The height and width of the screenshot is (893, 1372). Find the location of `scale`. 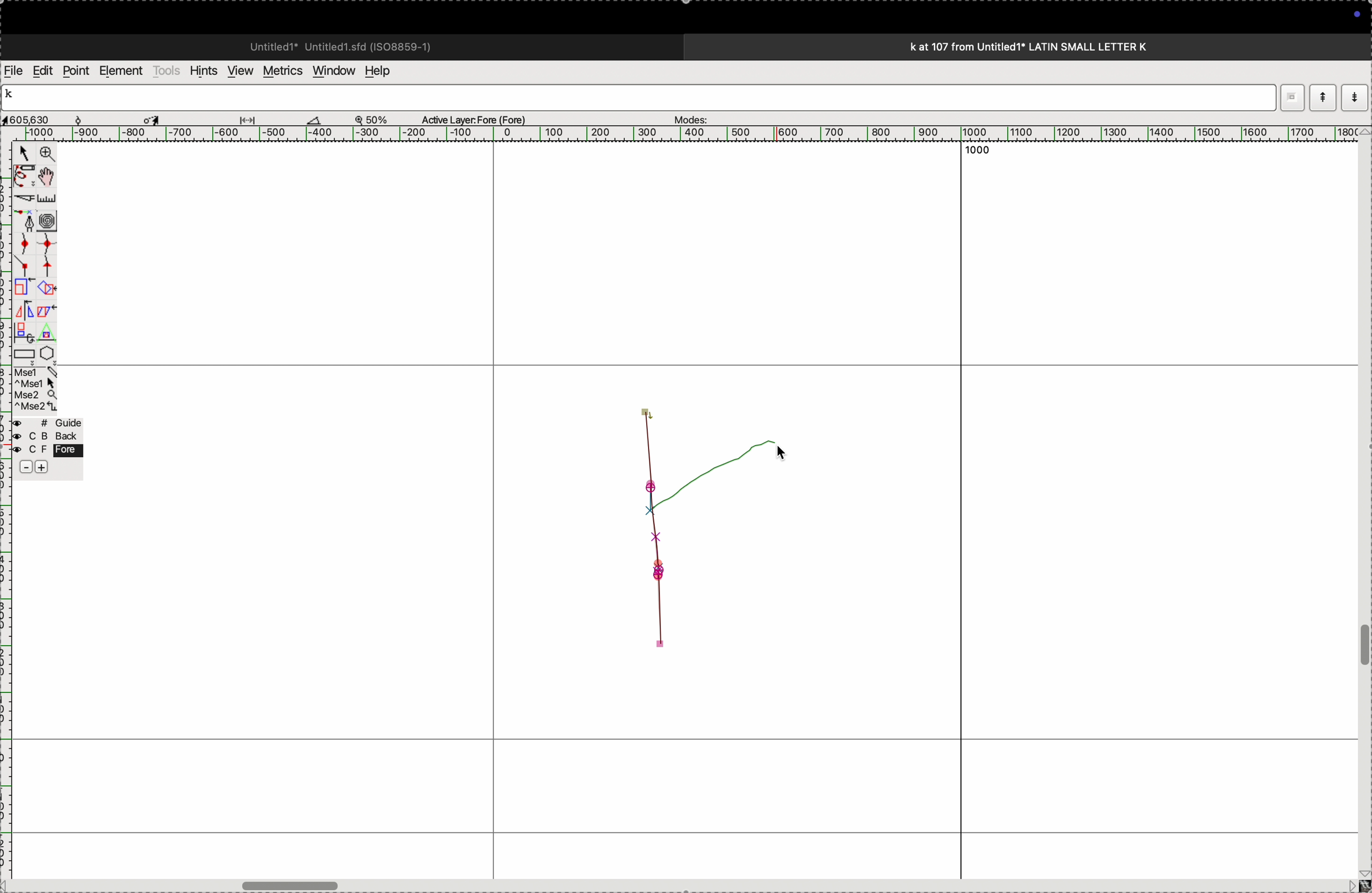

scale is located at coordinates (49, 198).